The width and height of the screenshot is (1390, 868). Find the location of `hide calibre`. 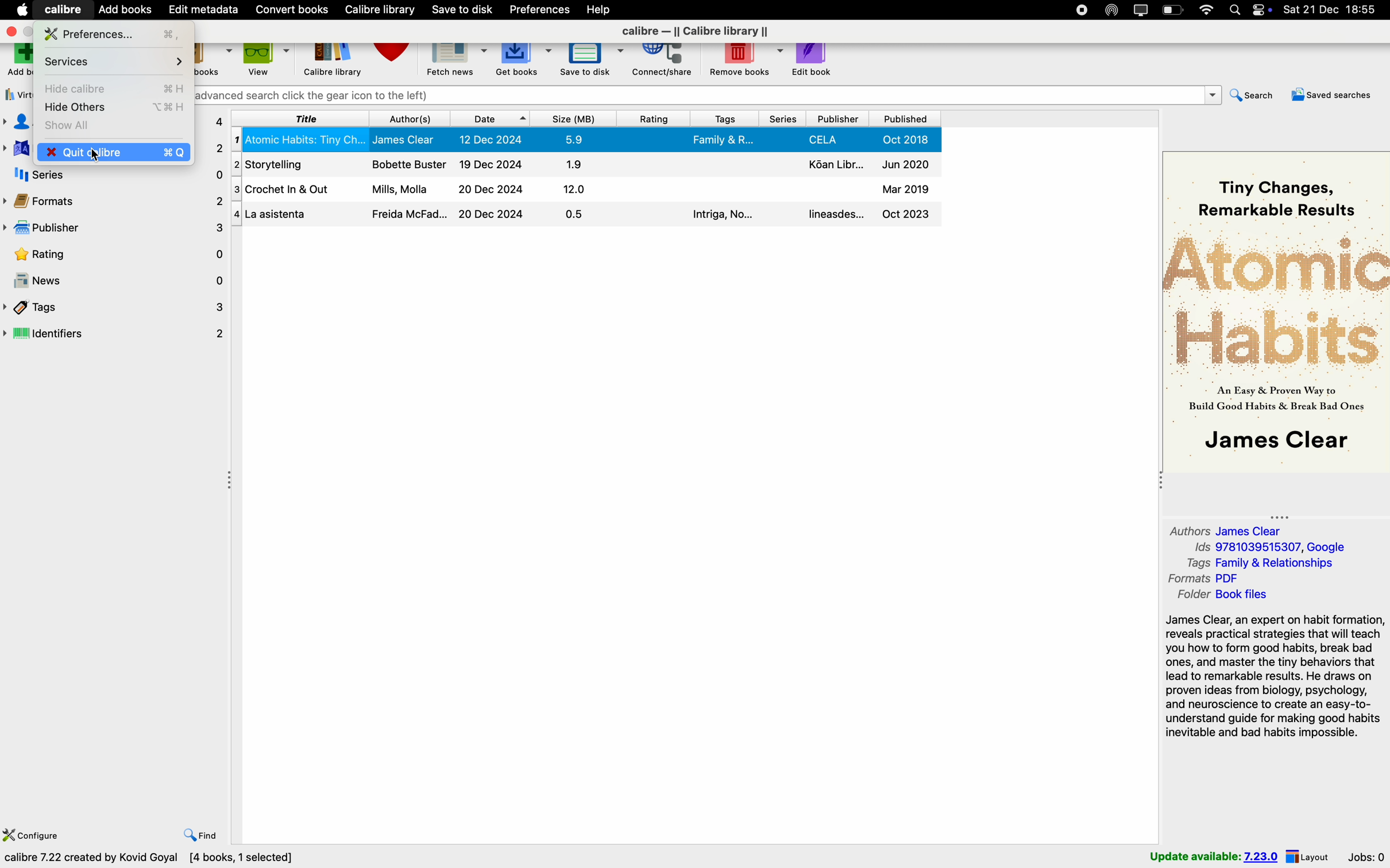

hide calibre is located at coordinates (113, 90).